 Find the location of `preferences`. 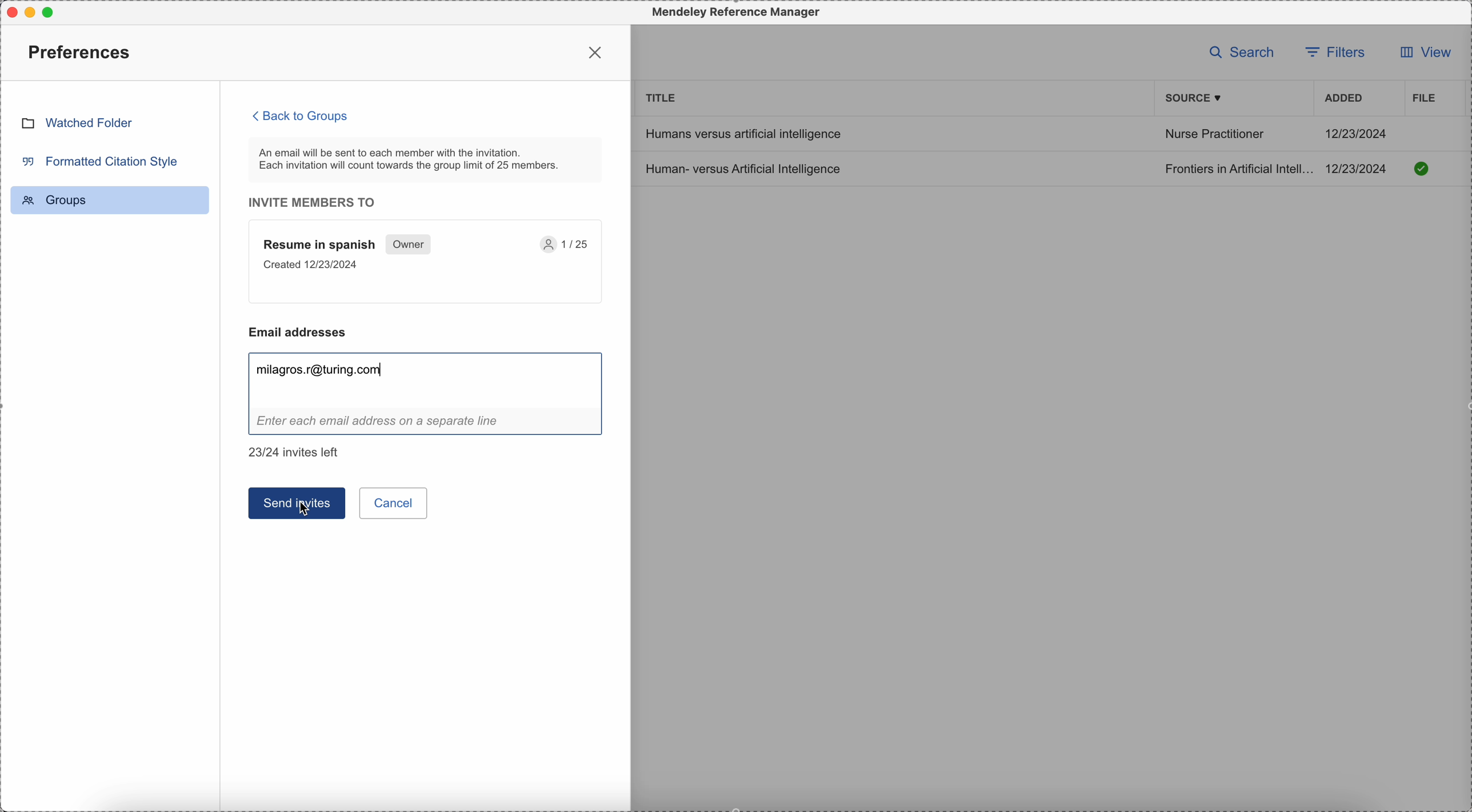

preferences is located at coordinates (82, 51).